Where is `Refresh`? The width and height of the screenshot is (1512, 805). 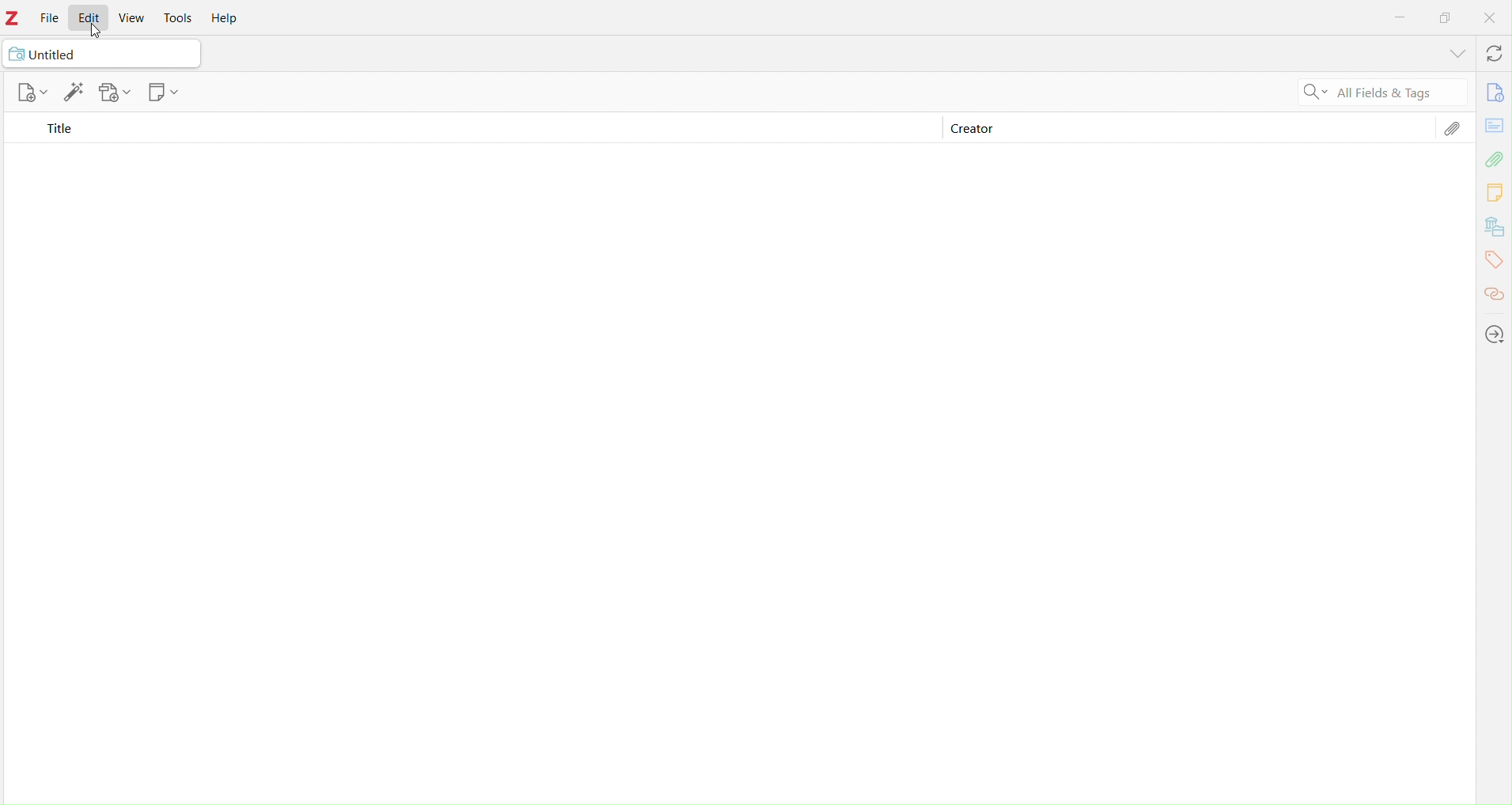
Refresh is located at coordinates (1490, 55).